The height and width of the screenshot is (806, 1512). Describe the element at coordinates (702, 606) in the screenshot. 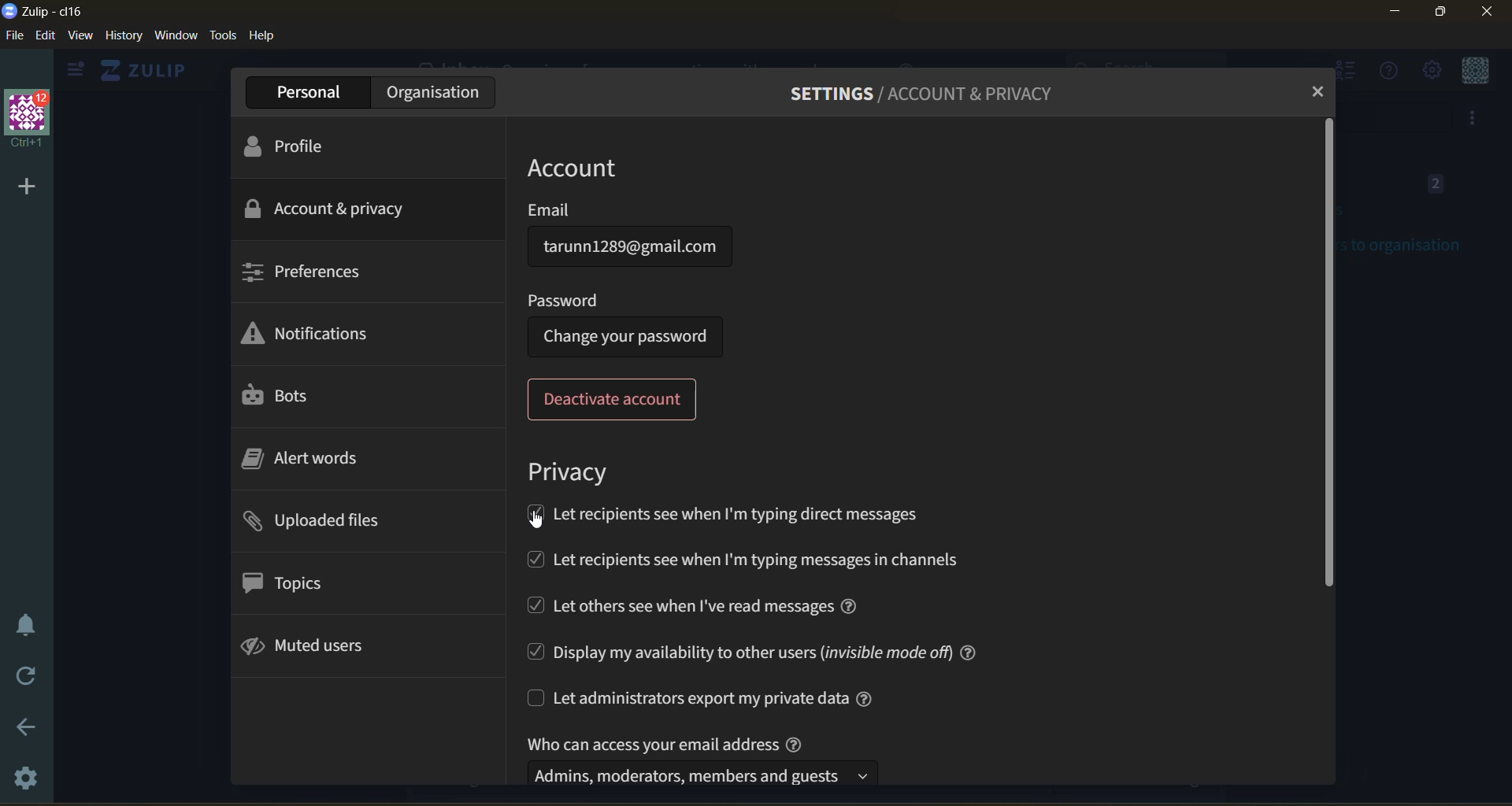

I see `let others see when i've read messages` at that location.